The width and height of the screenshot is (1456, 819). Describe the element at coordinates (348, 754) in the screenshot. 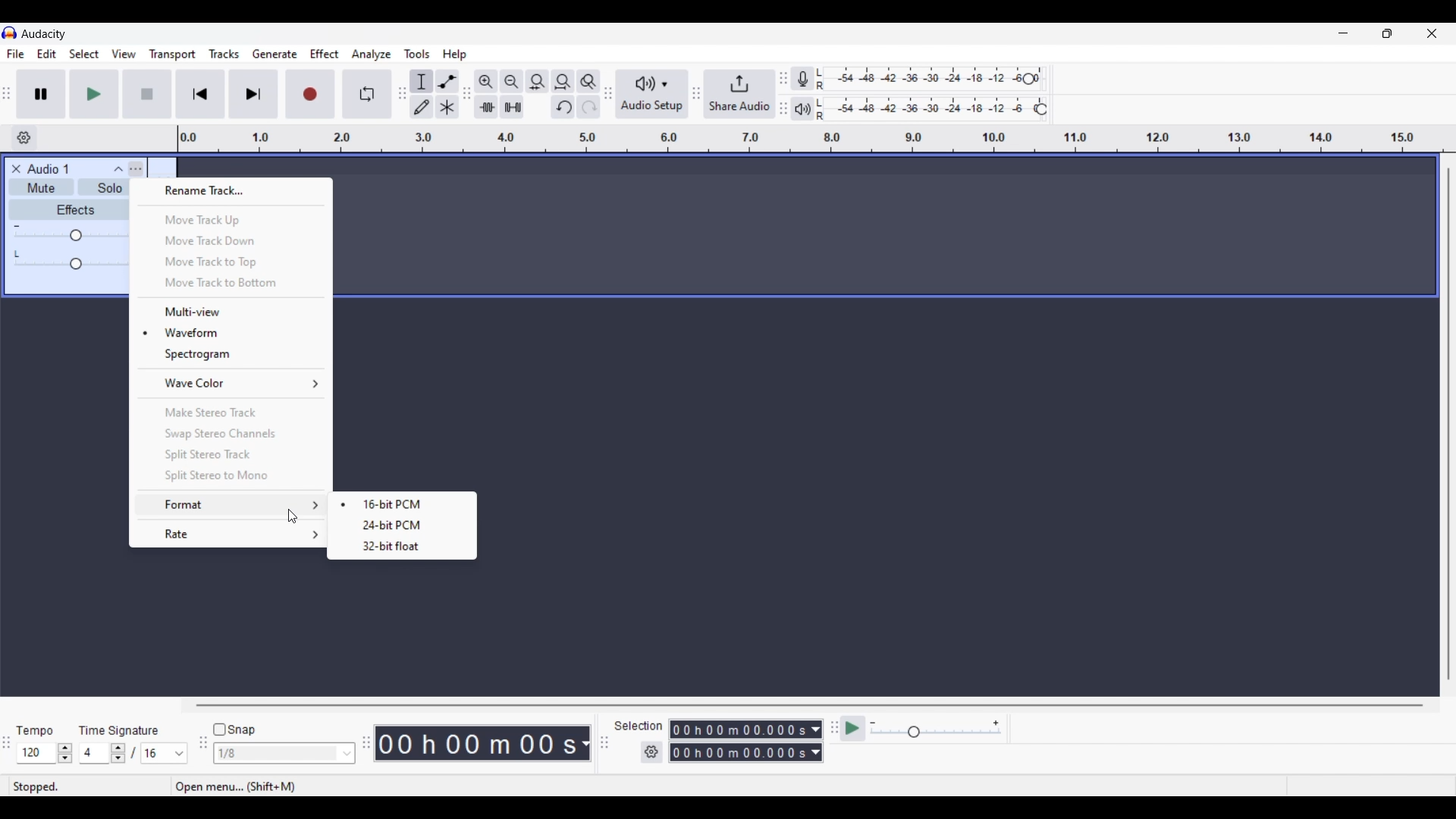

I see `Snap options to choose from` at that location.